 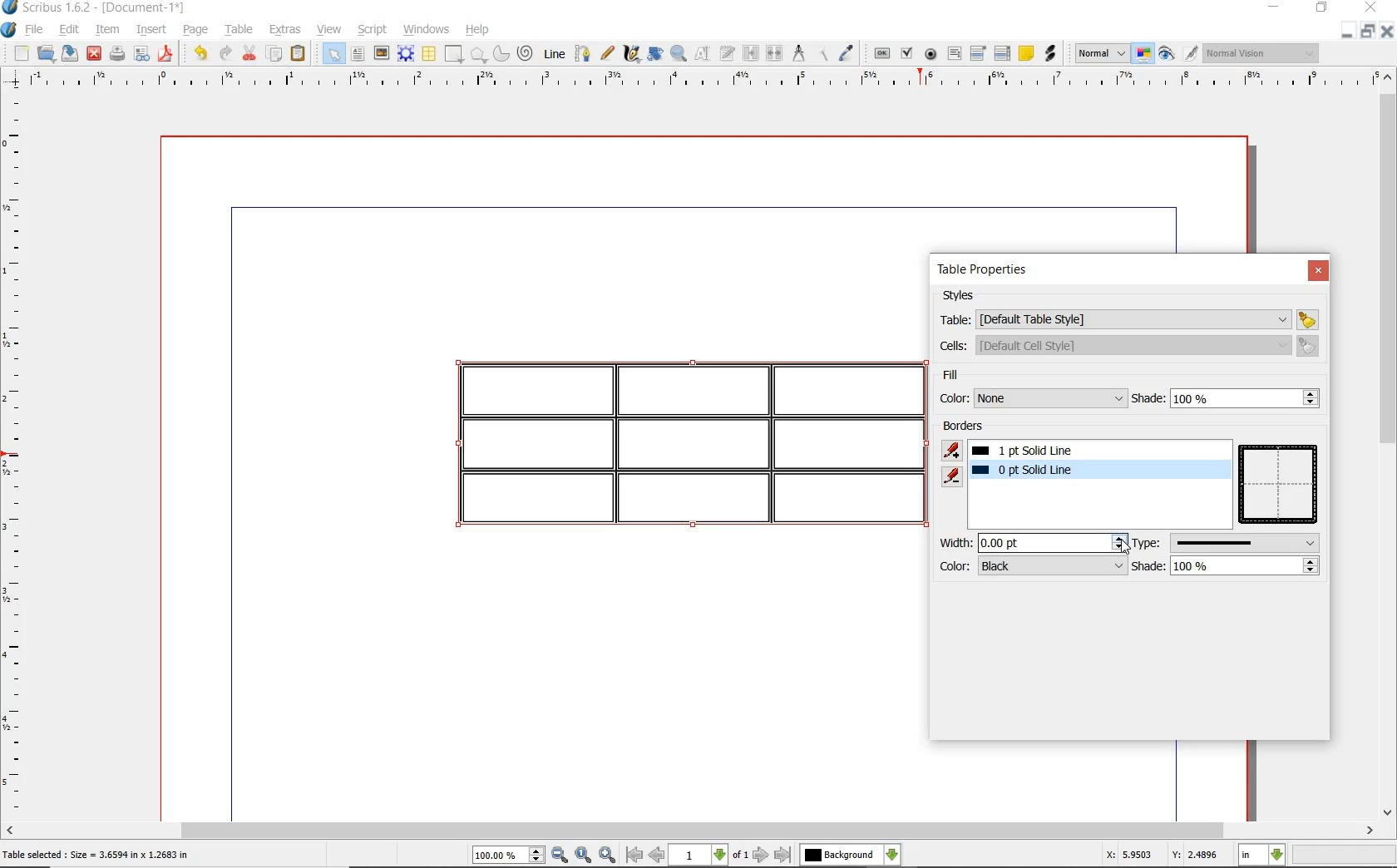 I want to click on spiral, so click(x=526, y=54).